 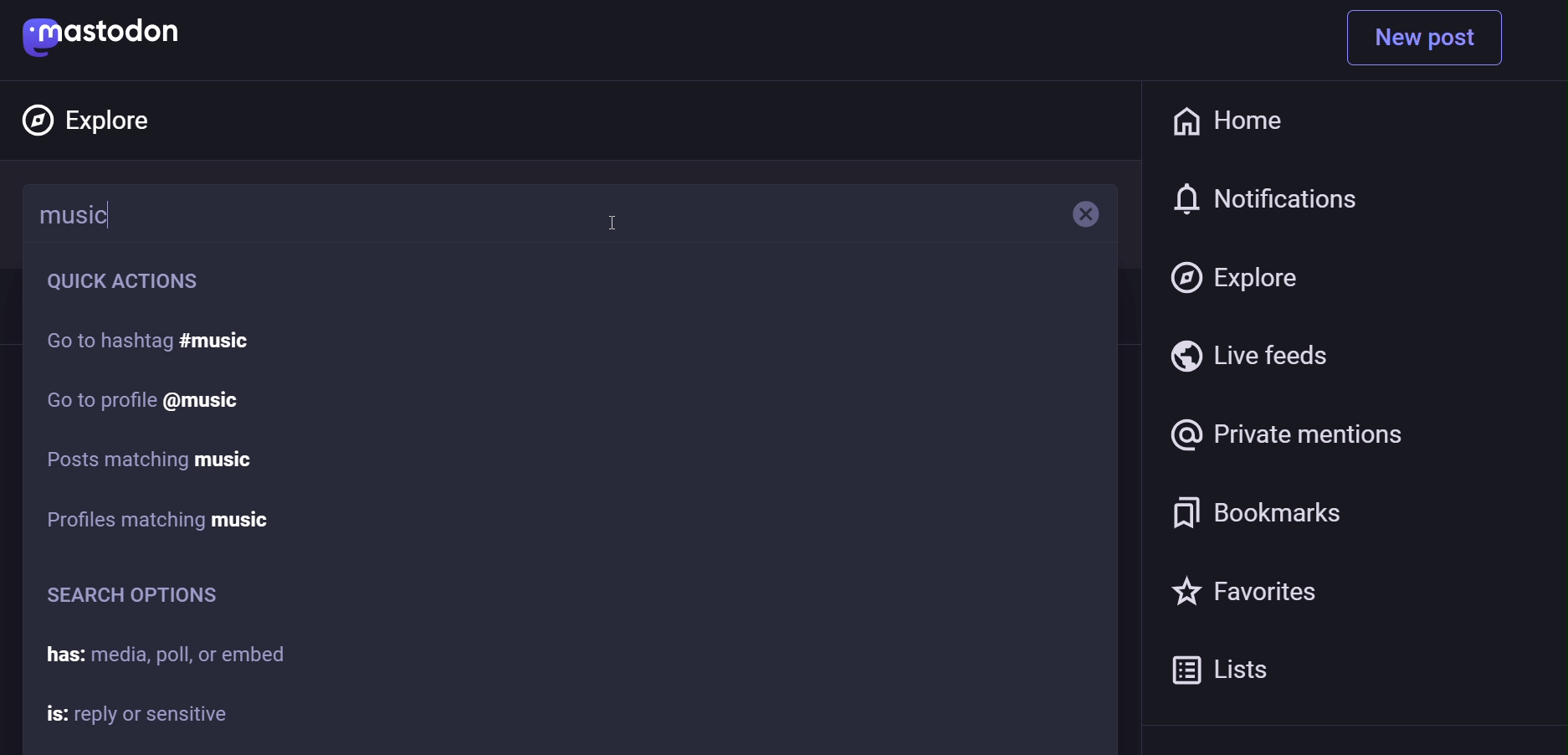 I want to click on new post, so click(x=1426, y=38).